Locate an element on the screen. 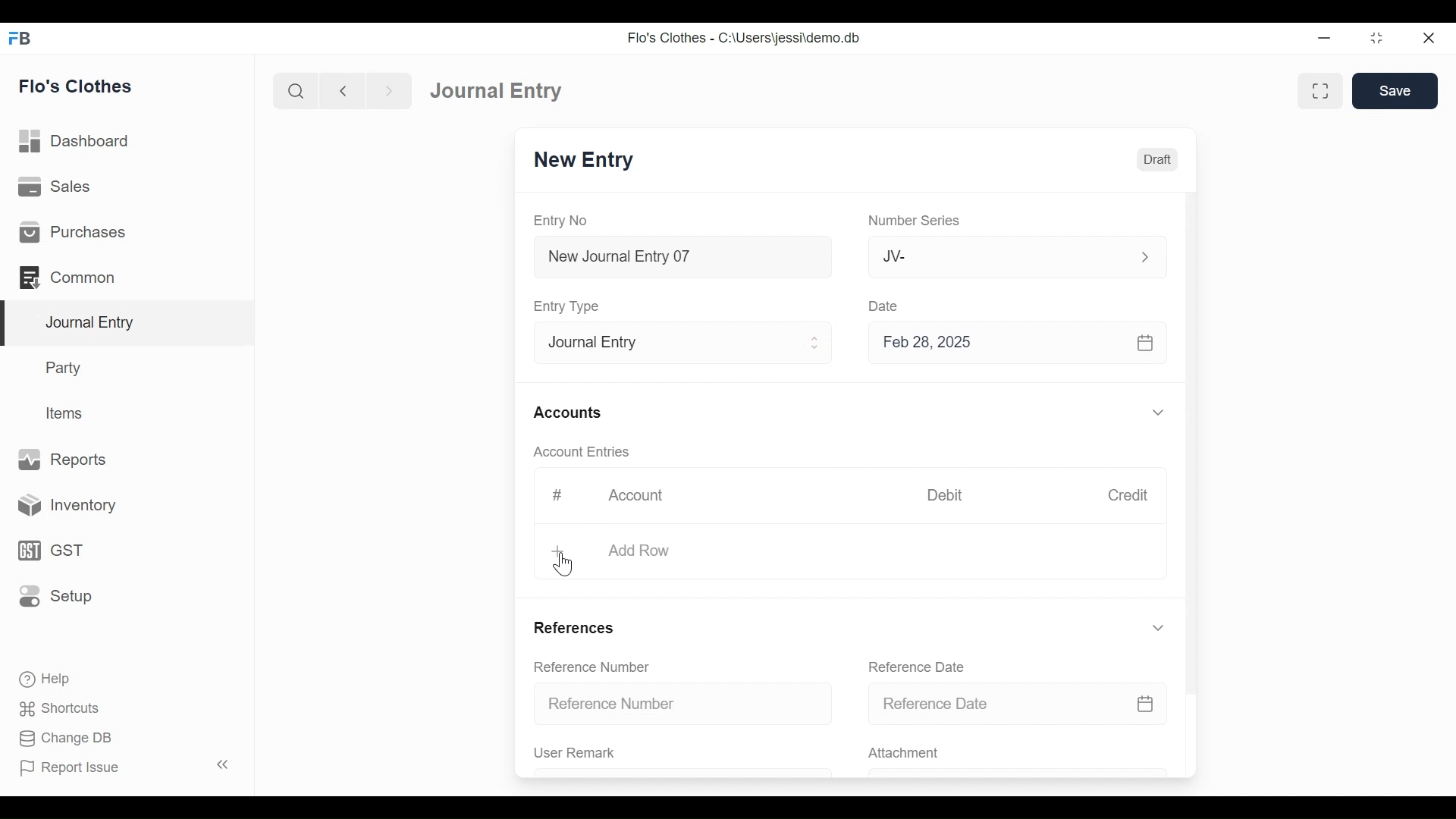  + Add Row is located at coordinates (629, 551).